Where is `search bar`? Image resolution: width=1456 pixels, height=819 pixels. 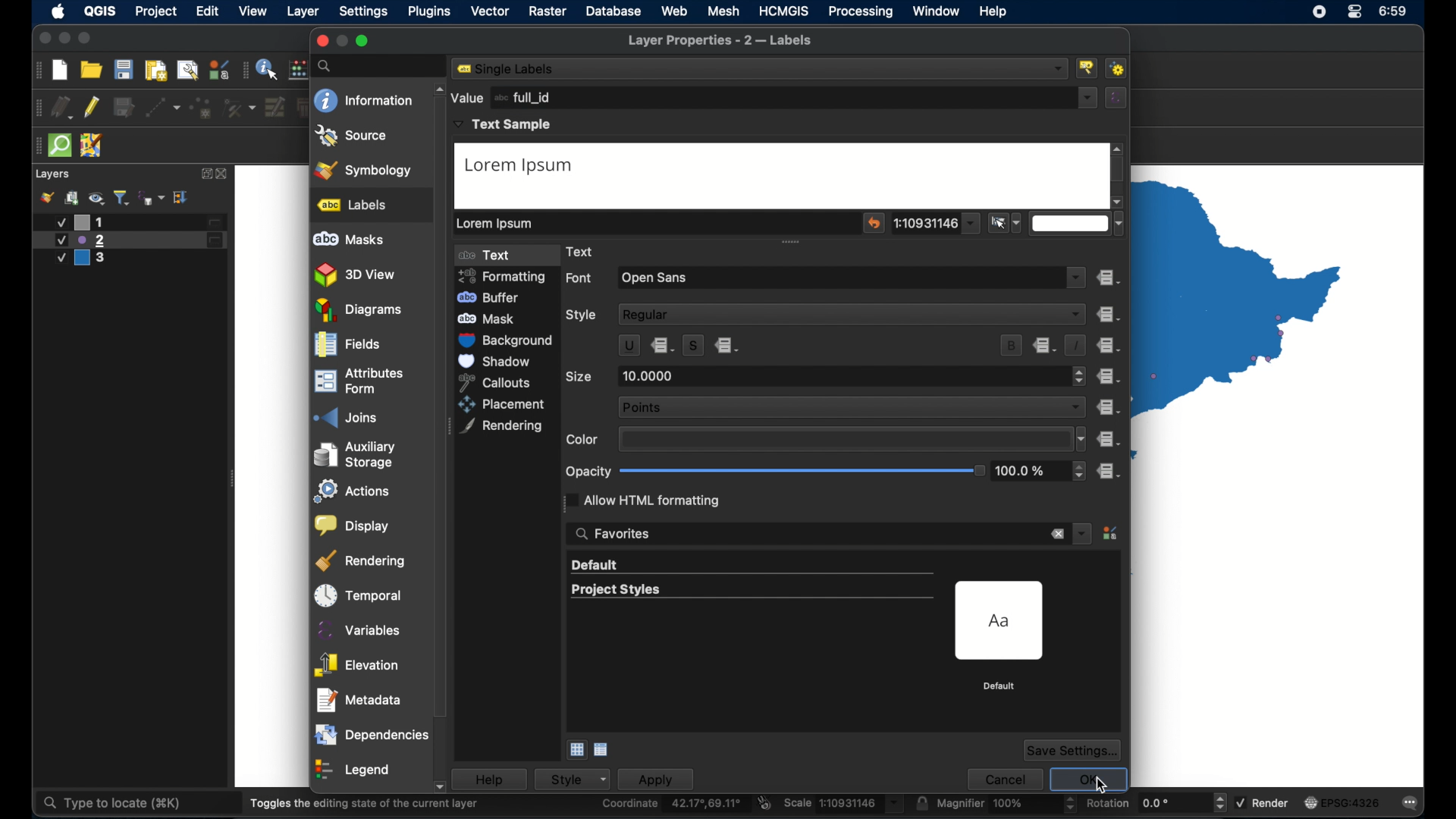
search bar is located at coordinates (381, 66).